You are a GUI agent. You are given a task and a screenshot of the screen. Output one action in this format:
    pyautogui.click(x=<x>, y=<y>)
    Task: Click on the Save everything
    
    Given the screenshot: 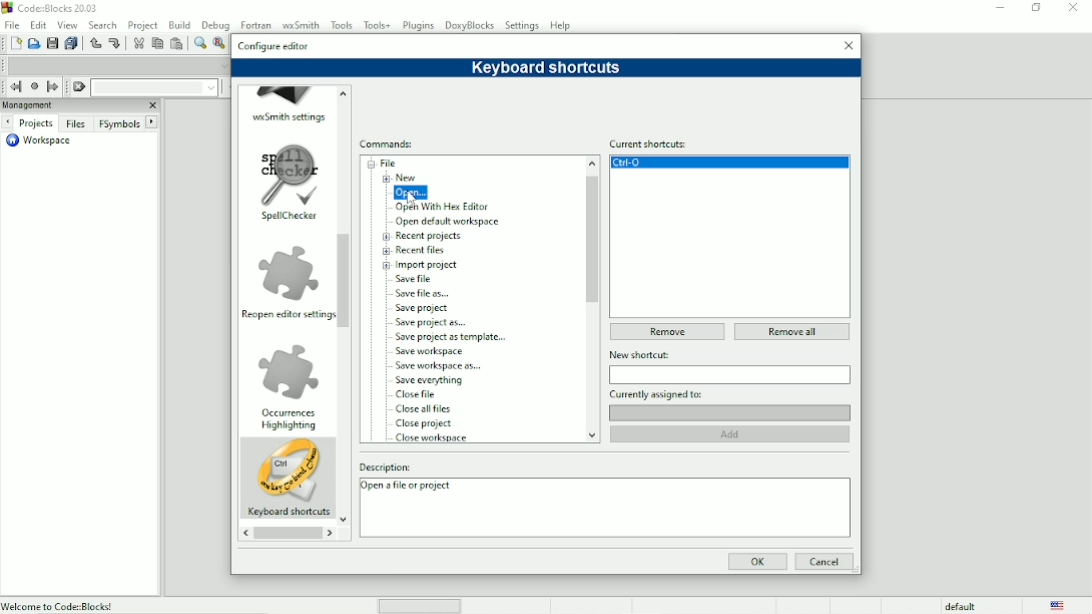 What is the action you would take?
    pyautogui.click(x=430, y=381)
    